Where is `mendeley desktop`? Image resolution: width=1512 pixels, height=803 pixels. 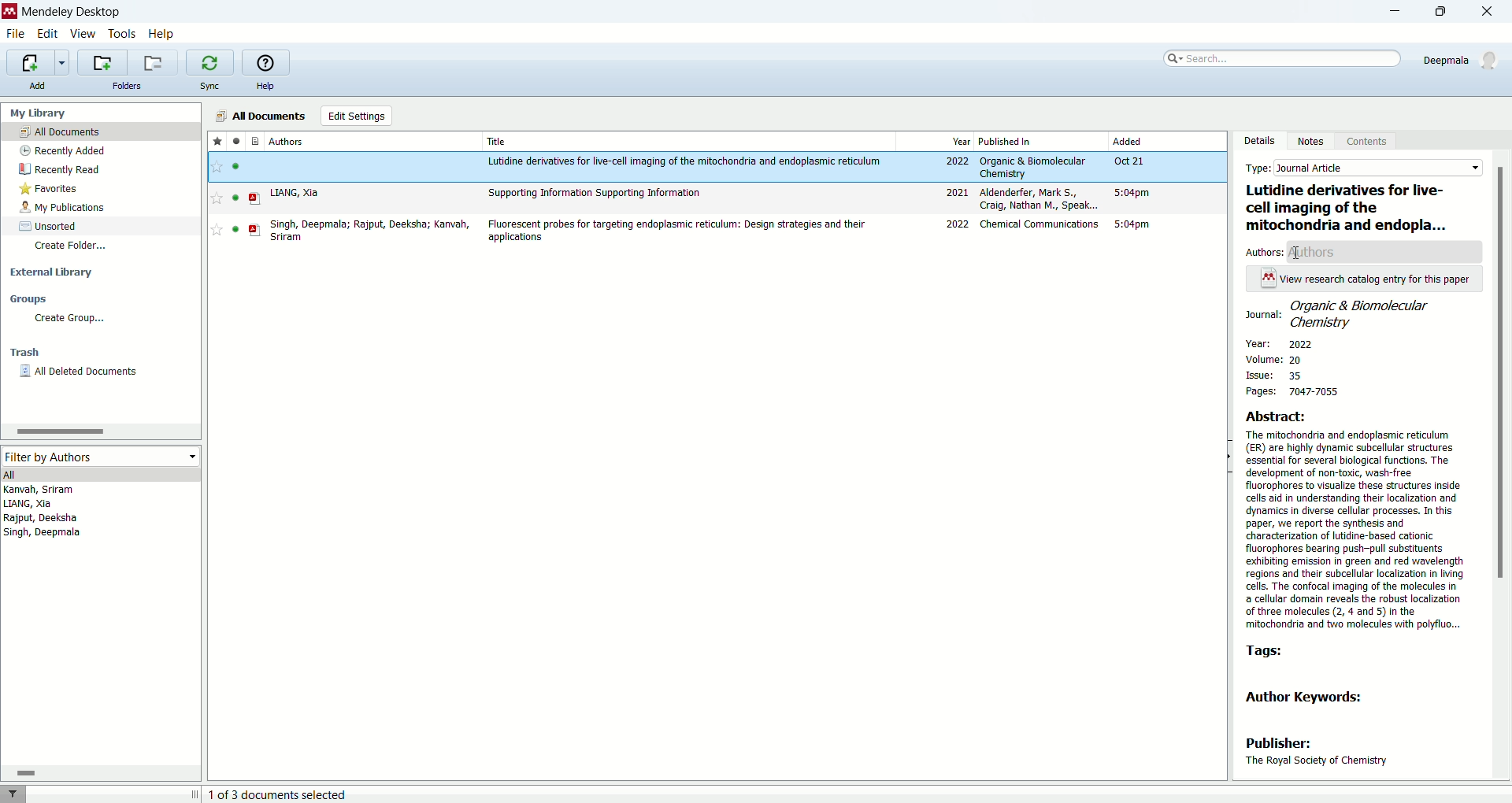
mendeley desktop is located at coordinates (69, 12).